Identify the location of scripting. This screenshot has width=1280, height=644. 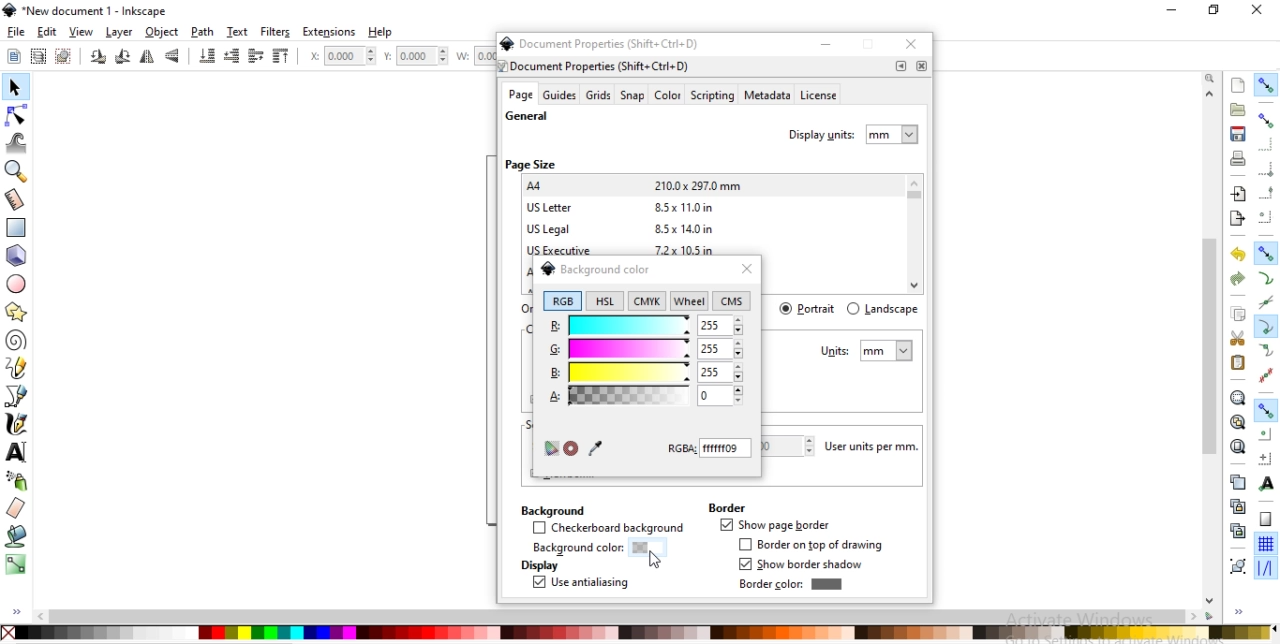
(711, 96).